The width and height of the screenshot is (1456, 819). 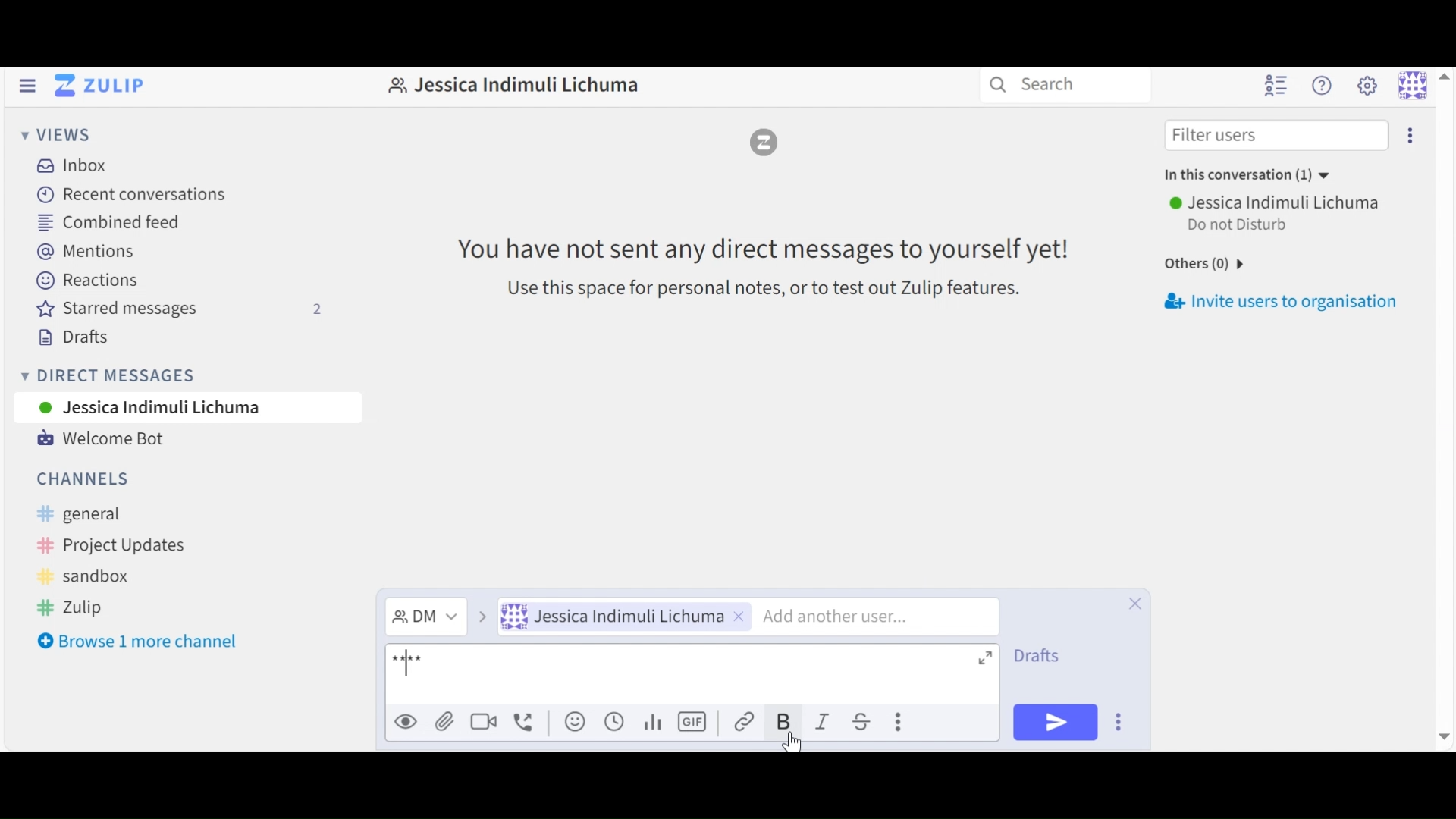 I want to click on filter users, so click(x=1219, y=135).